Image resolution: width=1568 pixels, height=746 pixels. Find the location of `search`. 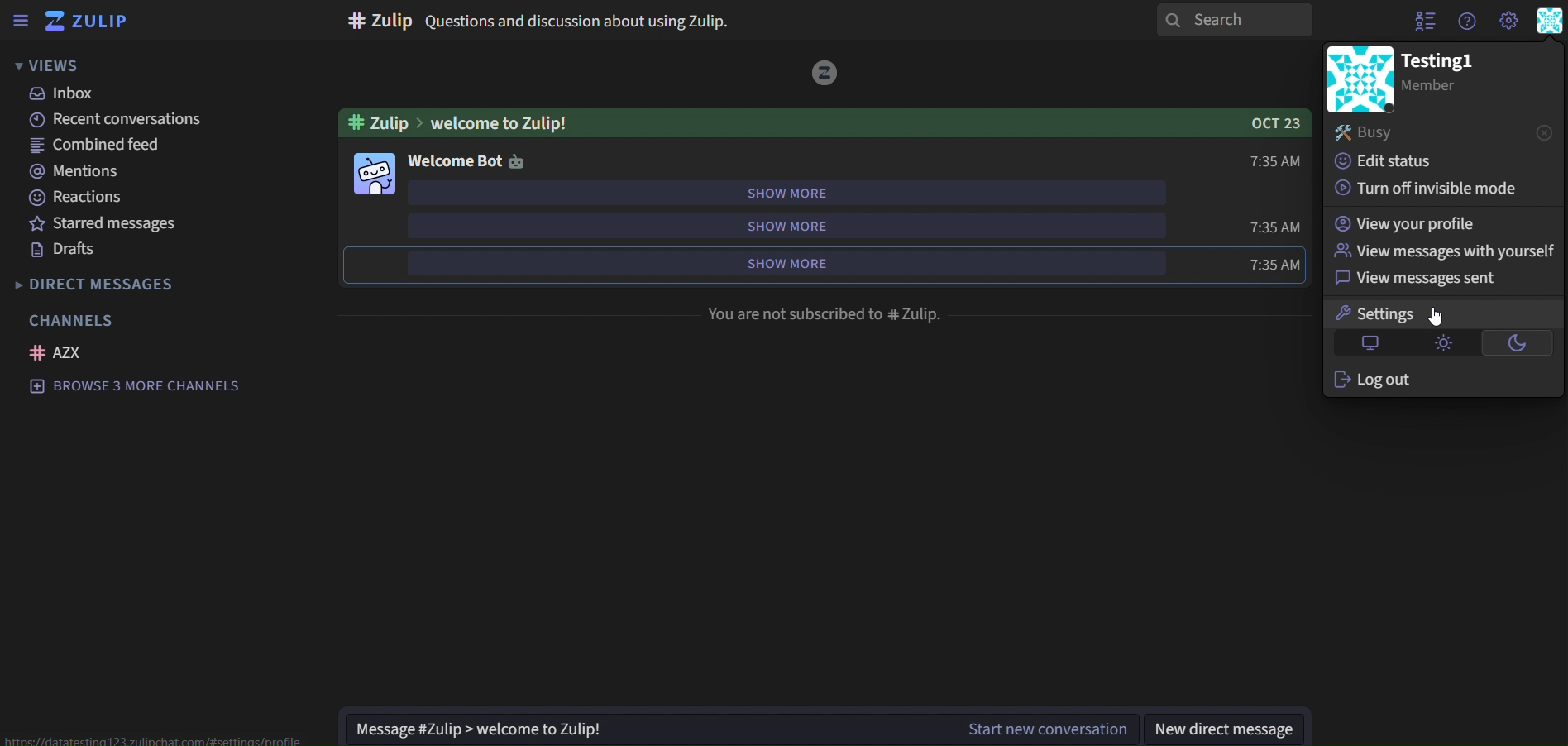

search is located at coordinates (1238, 20).